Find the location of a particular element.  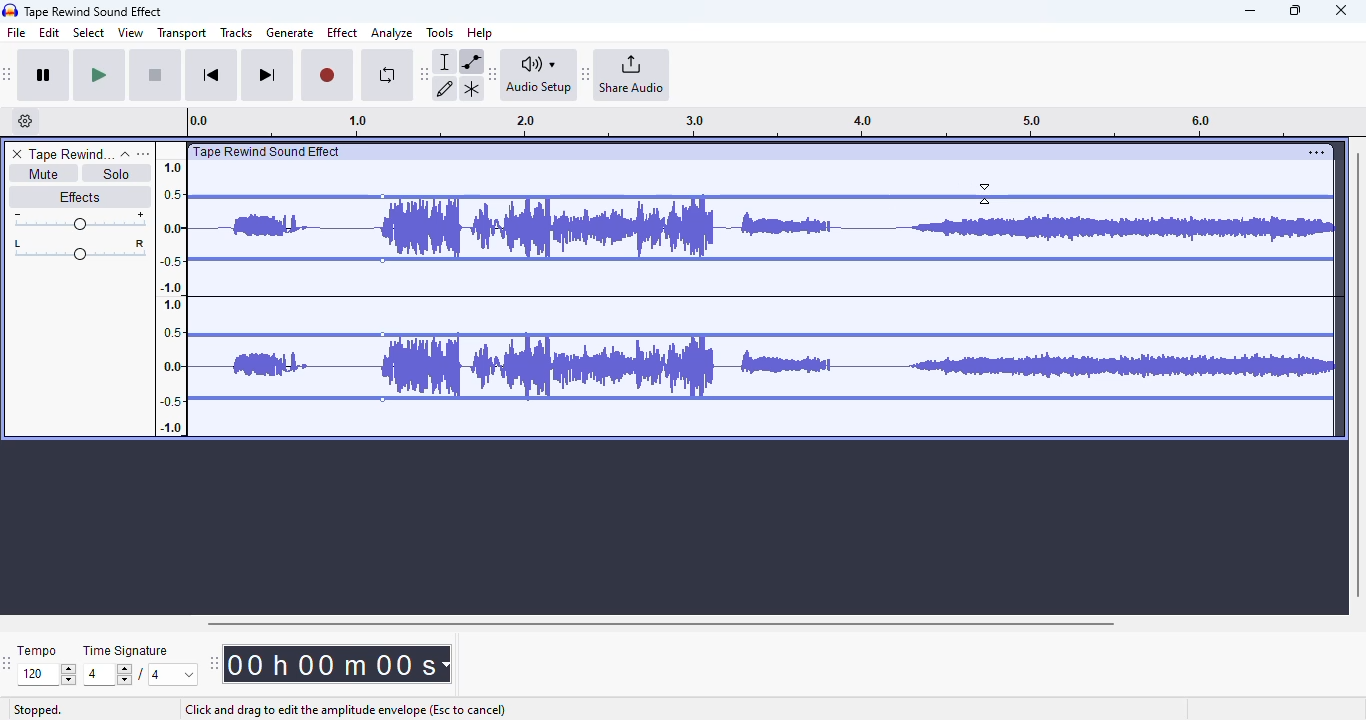

maximize is located at coordinates (1295, 10).